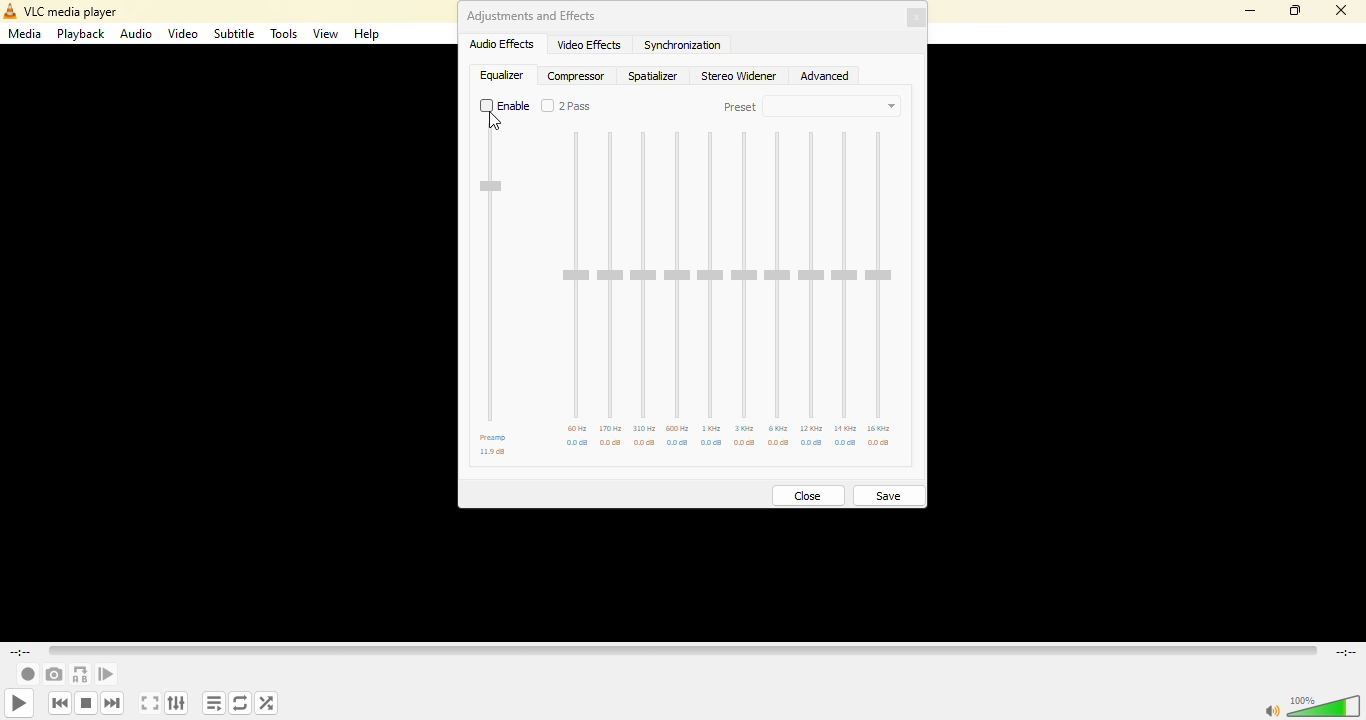 The width and height of the screenshot is (1366, 720). Describe the element at coordinates (149, 704) in the screenshot. I see `toggle the video in fullscreen` at that location.